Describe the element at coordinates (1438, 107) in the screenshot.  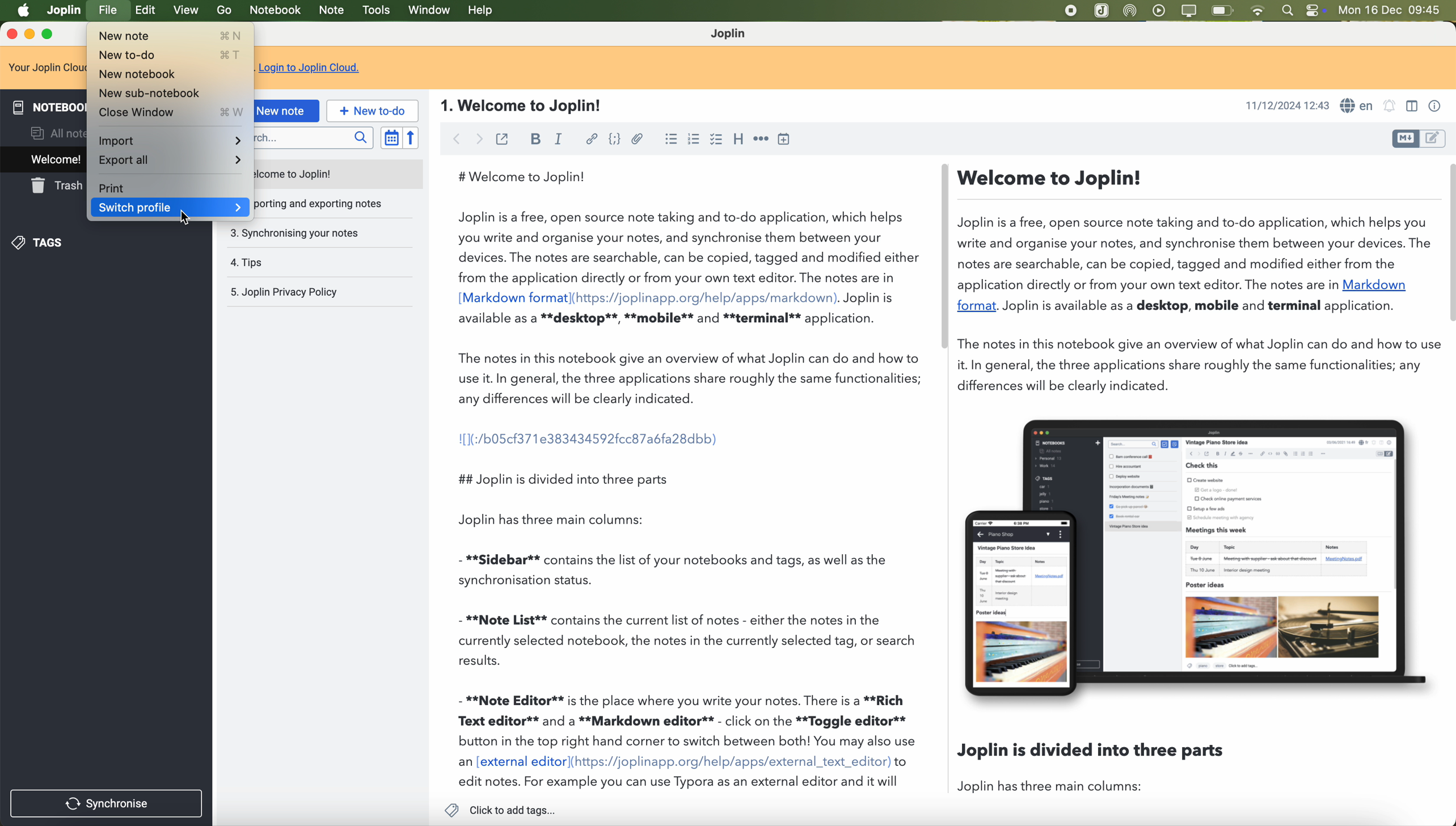
I see `note properties` at that location.